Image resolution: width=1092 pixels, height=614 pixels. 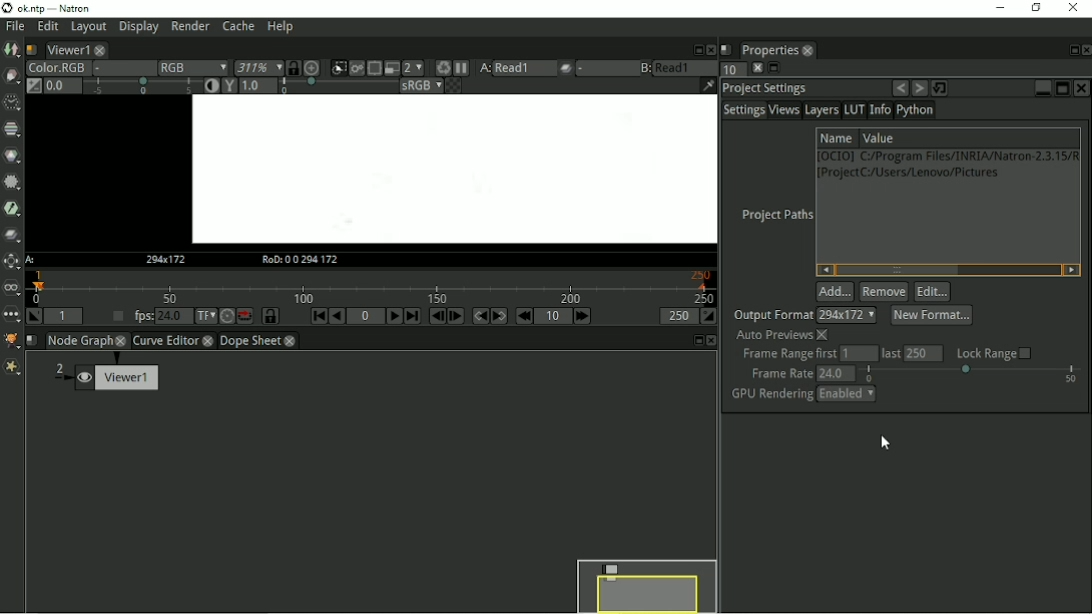 I want to click on Views, so click(x=783, y=110).